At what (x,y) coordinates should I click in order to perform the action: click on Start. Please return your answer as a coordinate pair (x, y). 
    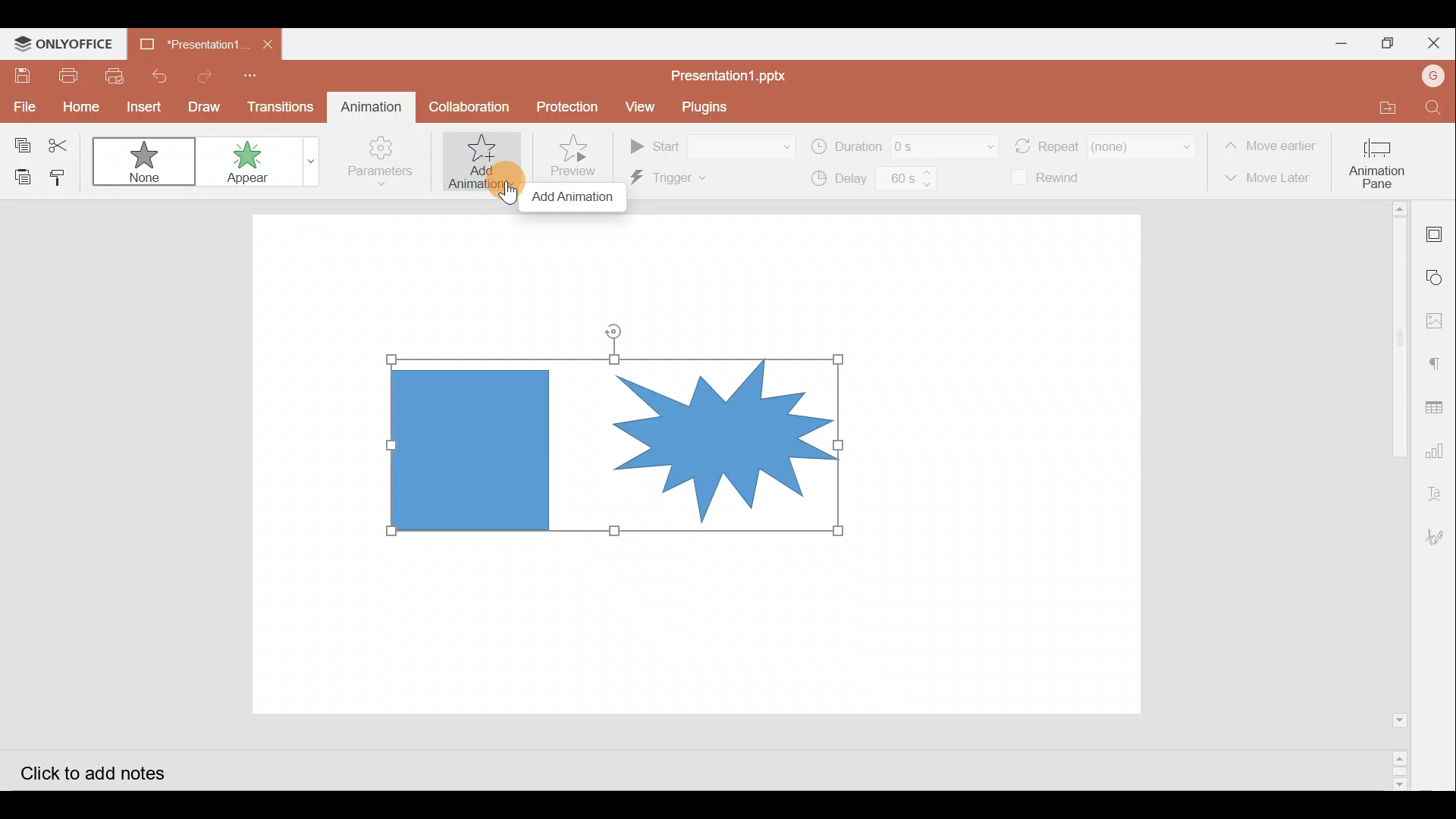
    Looking at the image, I should click on (710, 146).